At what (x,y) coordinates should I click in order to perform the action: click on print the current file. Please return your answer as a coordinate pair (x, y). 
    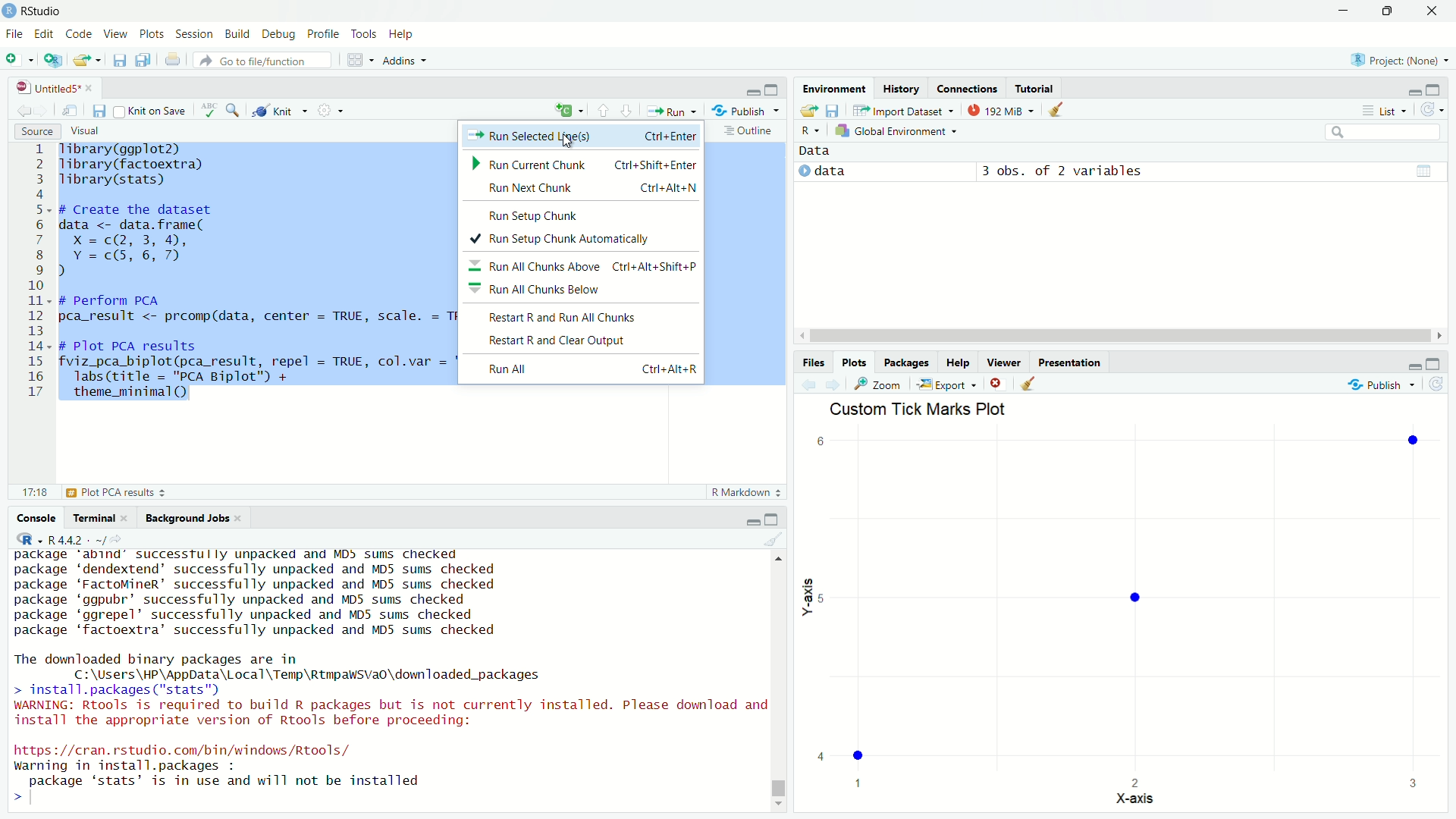
    Looking at the image, I should click on (174, 60).